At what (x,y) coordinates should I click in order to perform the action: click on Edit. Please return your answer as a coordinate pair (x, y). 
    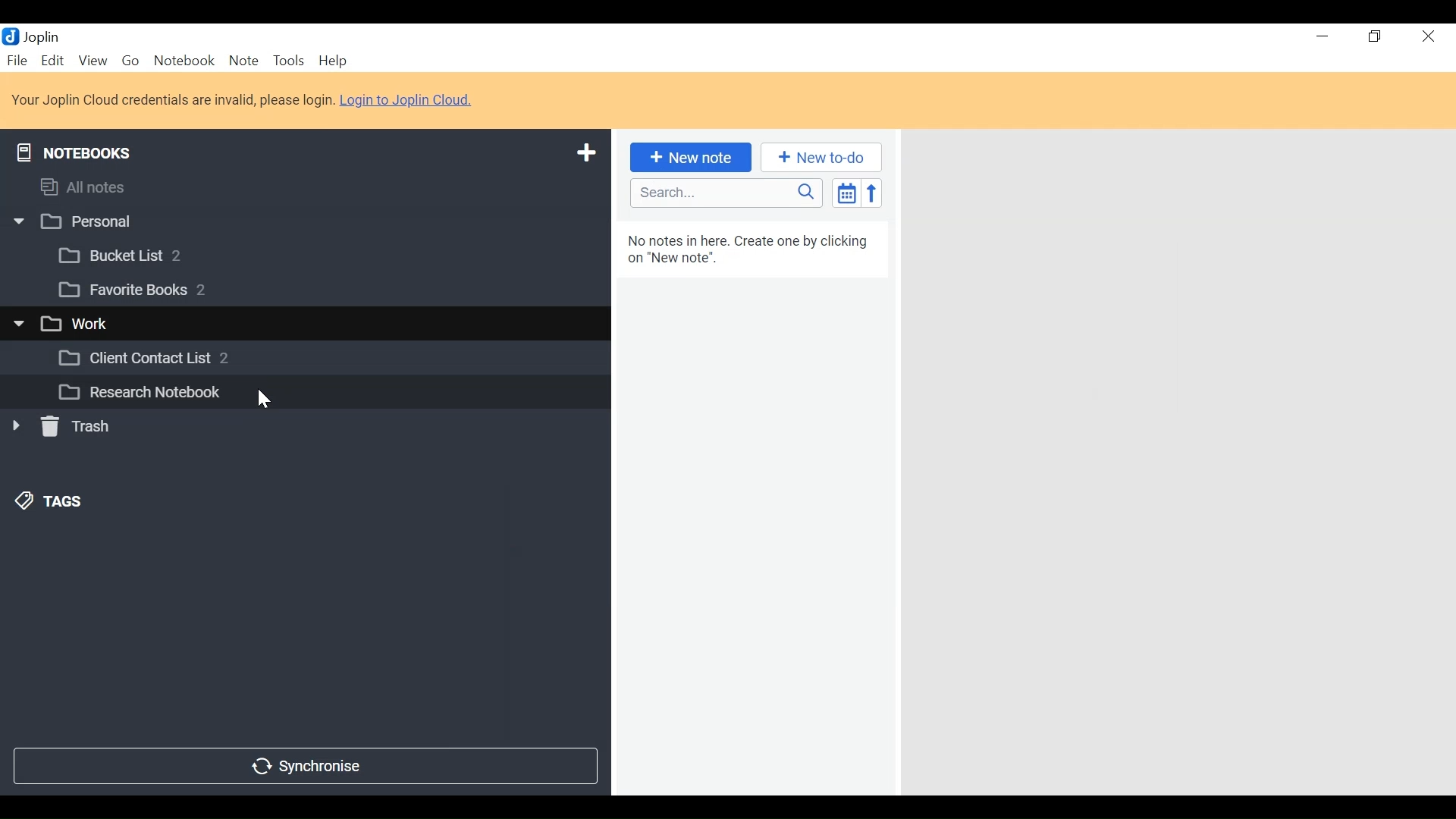
    Looking at the image, I should click on (54, 60).